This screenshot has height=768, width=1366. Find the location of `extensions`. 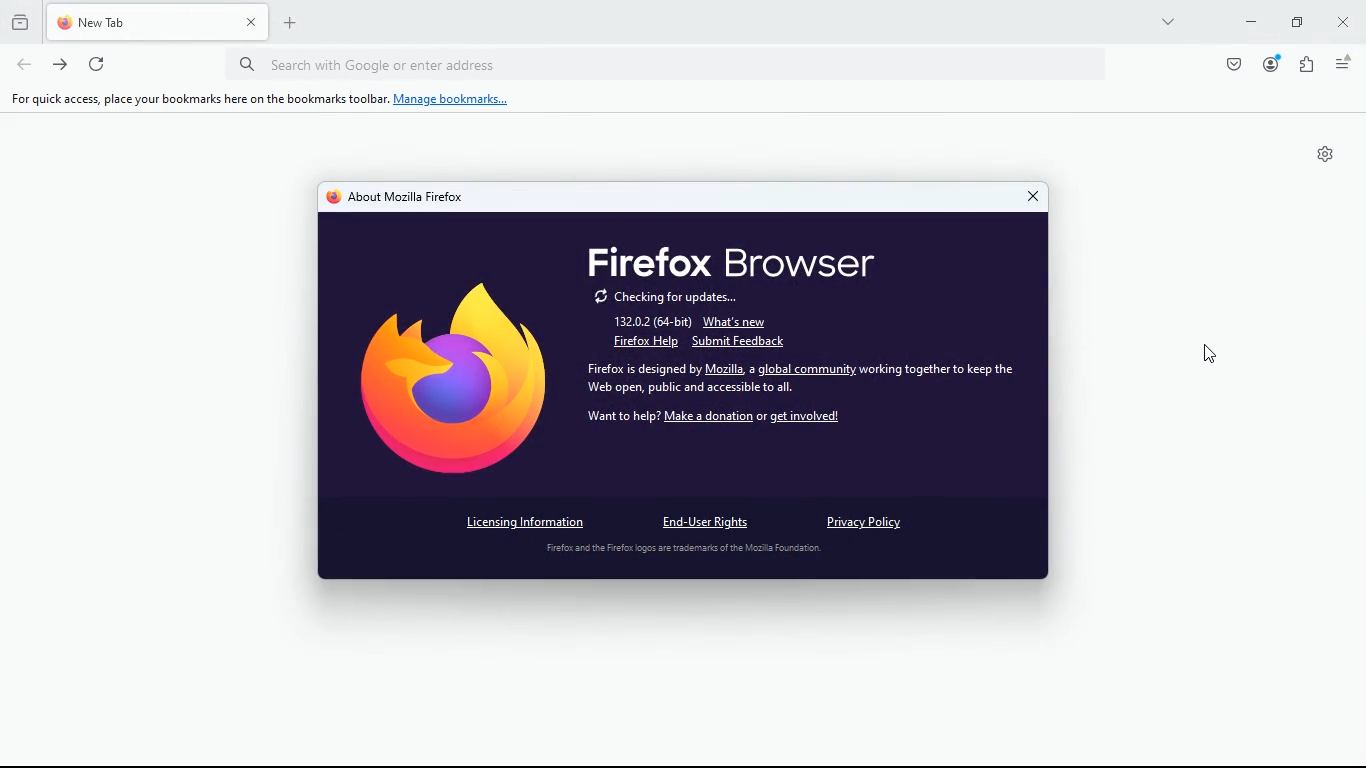

extensions is located at coordinates (1310, 66).